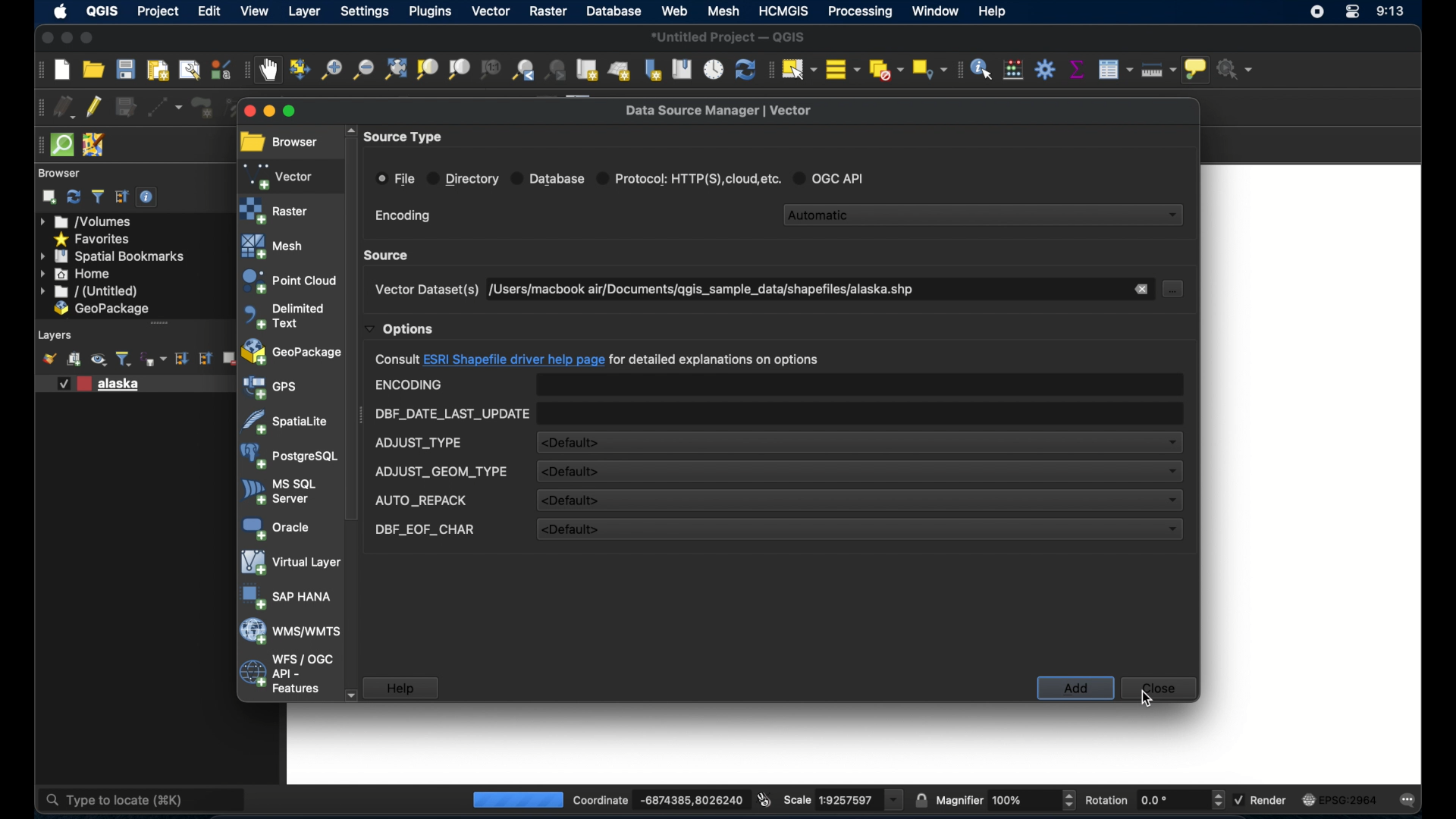 This screenshot has height=819, width=1456. I want to click on scroll down arrow, so click(351, 694).